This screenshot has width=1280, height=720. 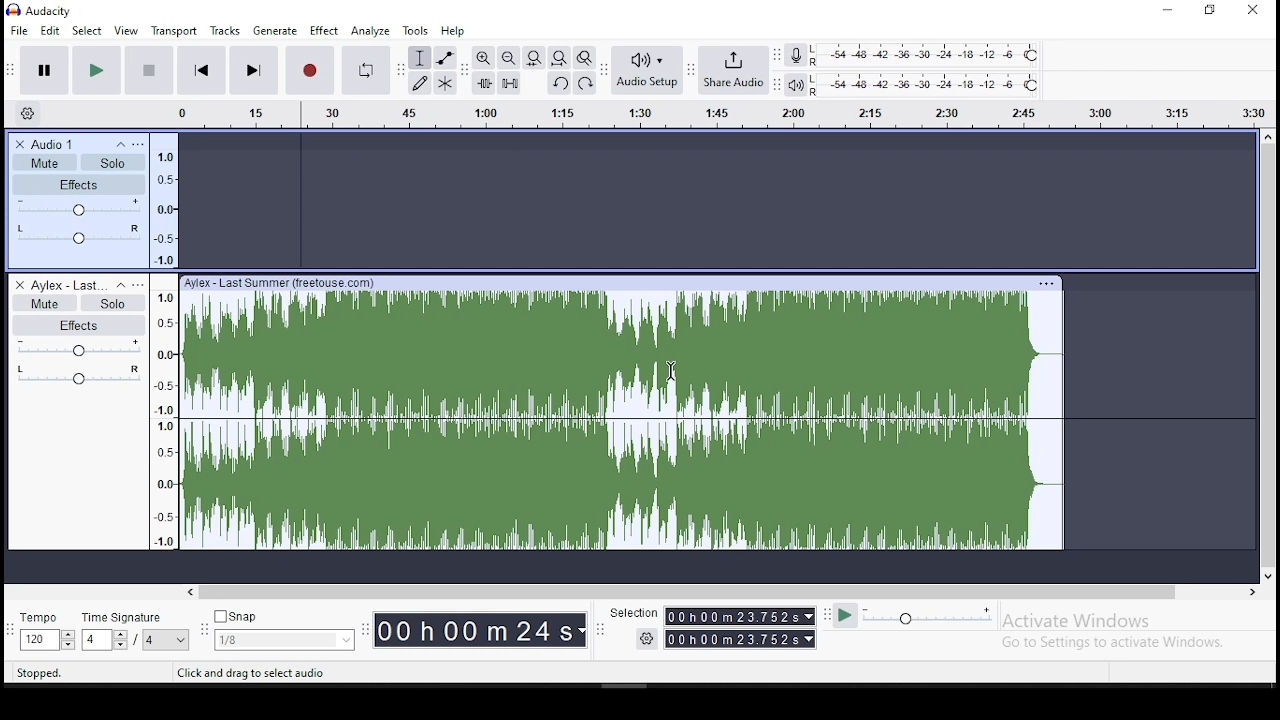 What do you see at coordinates (534, 58) in the screenshot?
I see `fit selection to width` at bounding box center [534, 58].